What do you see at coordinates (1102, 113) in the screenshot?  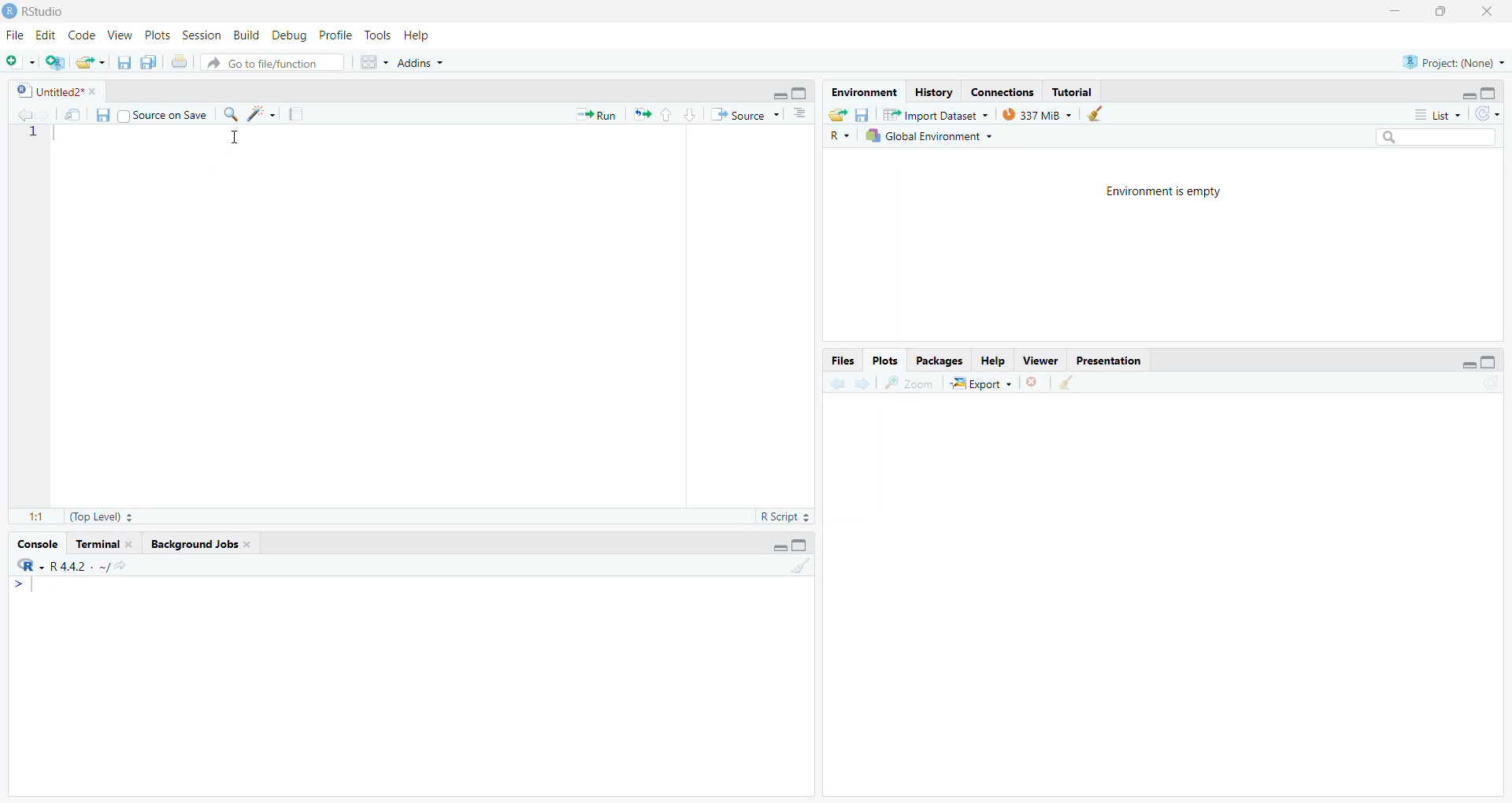 I see `clear history` at bounding box center [1102, 113].